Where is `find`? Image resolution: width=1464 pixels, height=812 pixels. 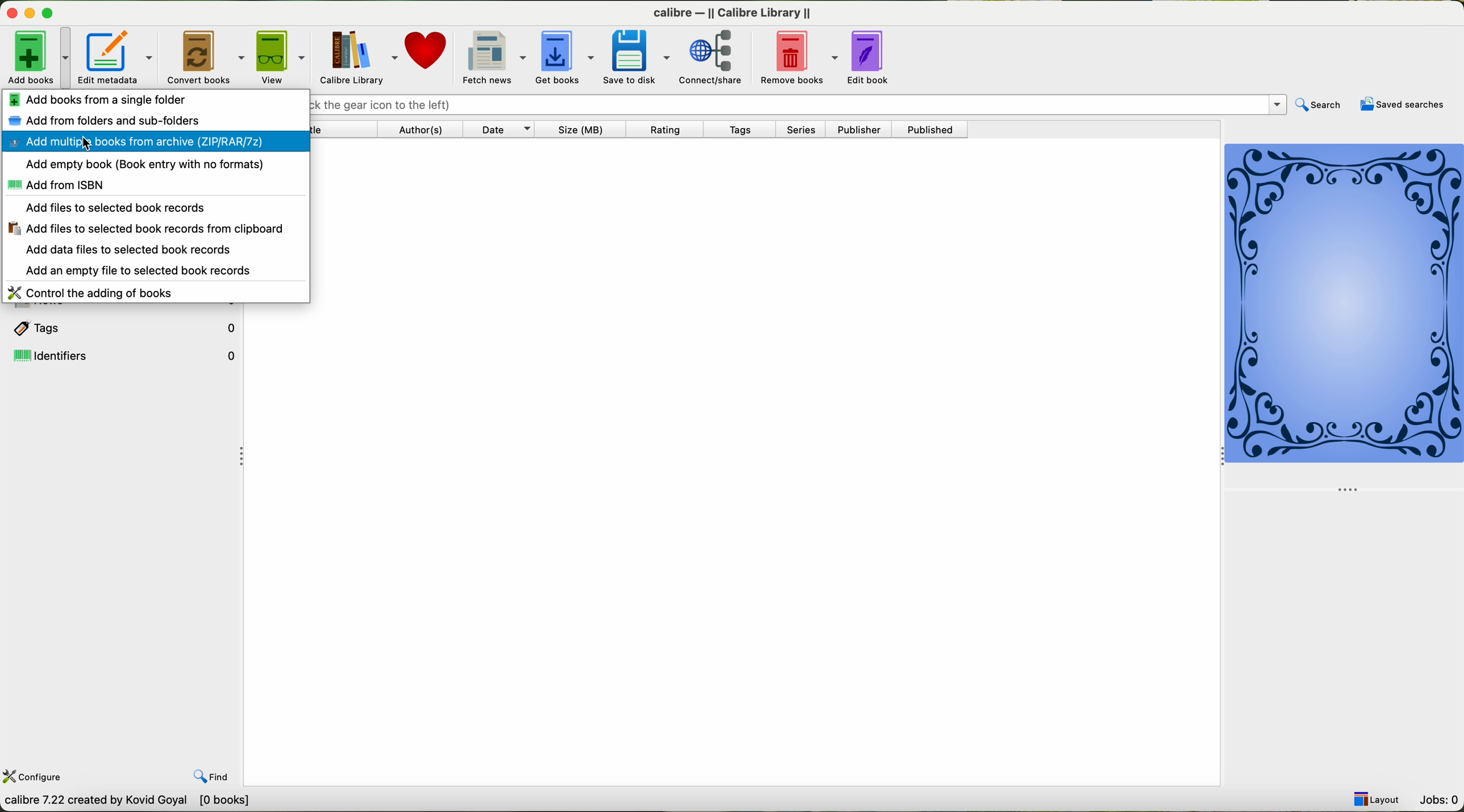
find is located at coordinates (216, 777).